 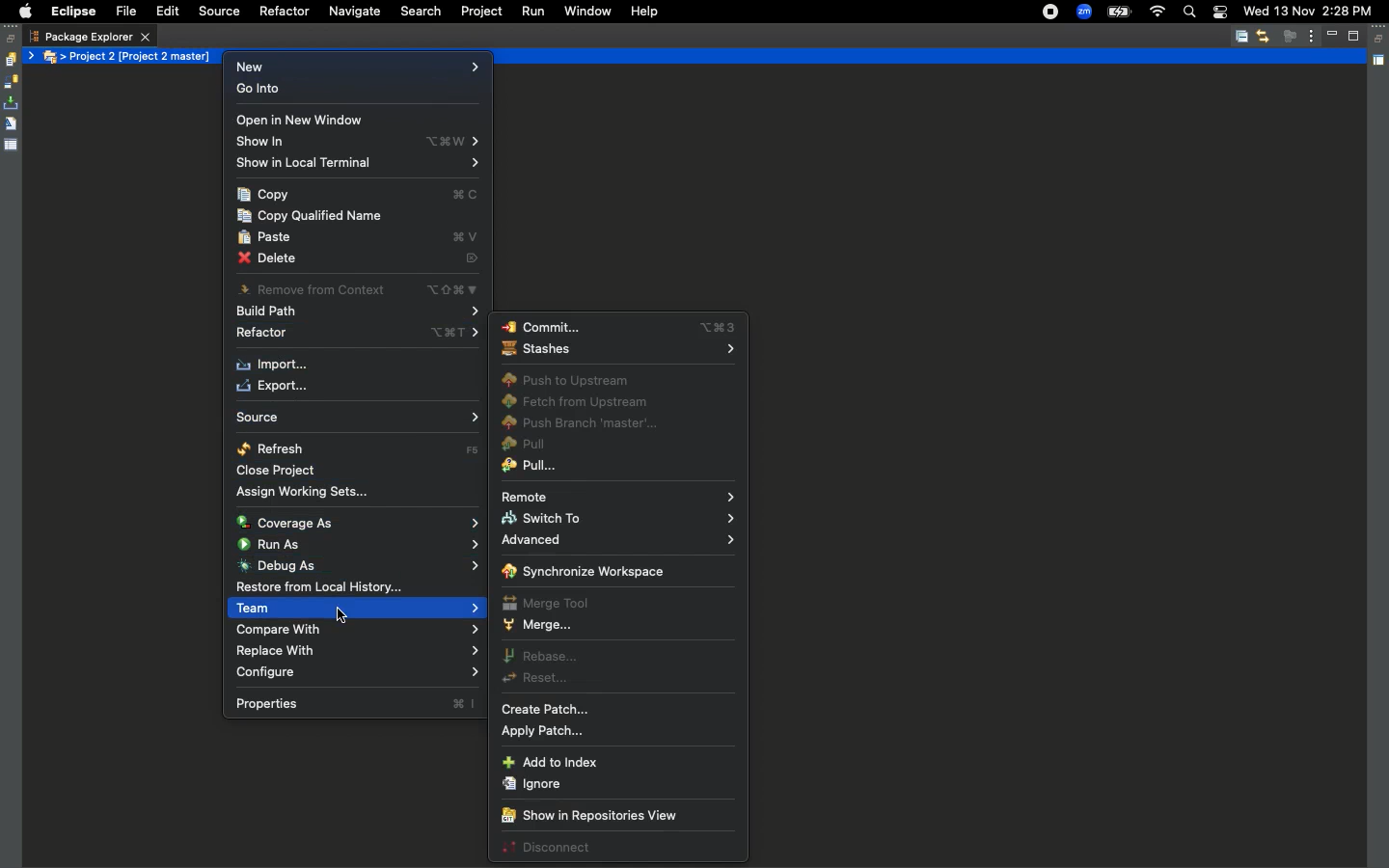 I want to click on Internet, so click(x=1157, y=13).